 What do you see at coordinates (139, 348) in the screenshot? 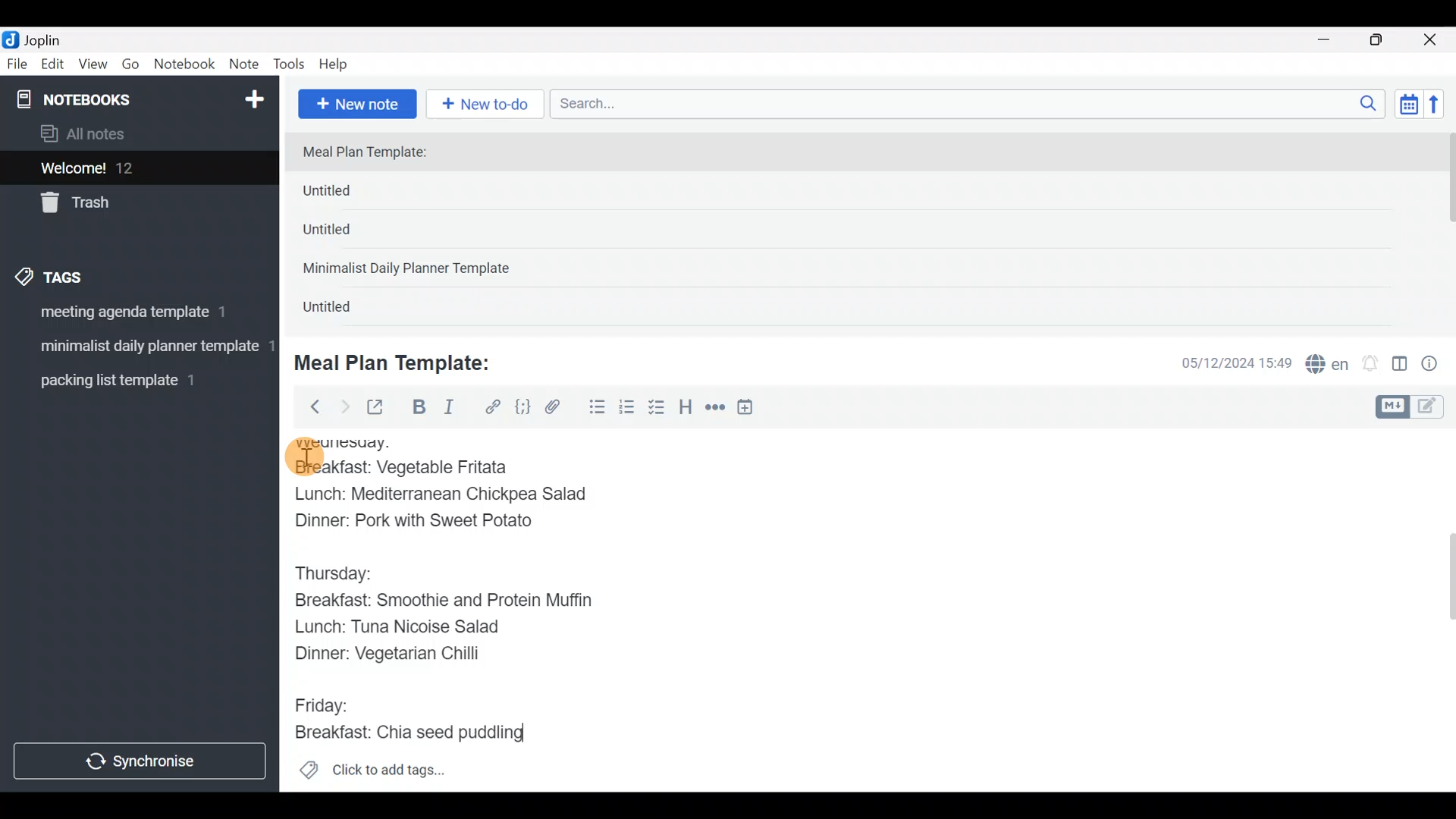
I see `Tag 2` at bounding box center [139, 348].